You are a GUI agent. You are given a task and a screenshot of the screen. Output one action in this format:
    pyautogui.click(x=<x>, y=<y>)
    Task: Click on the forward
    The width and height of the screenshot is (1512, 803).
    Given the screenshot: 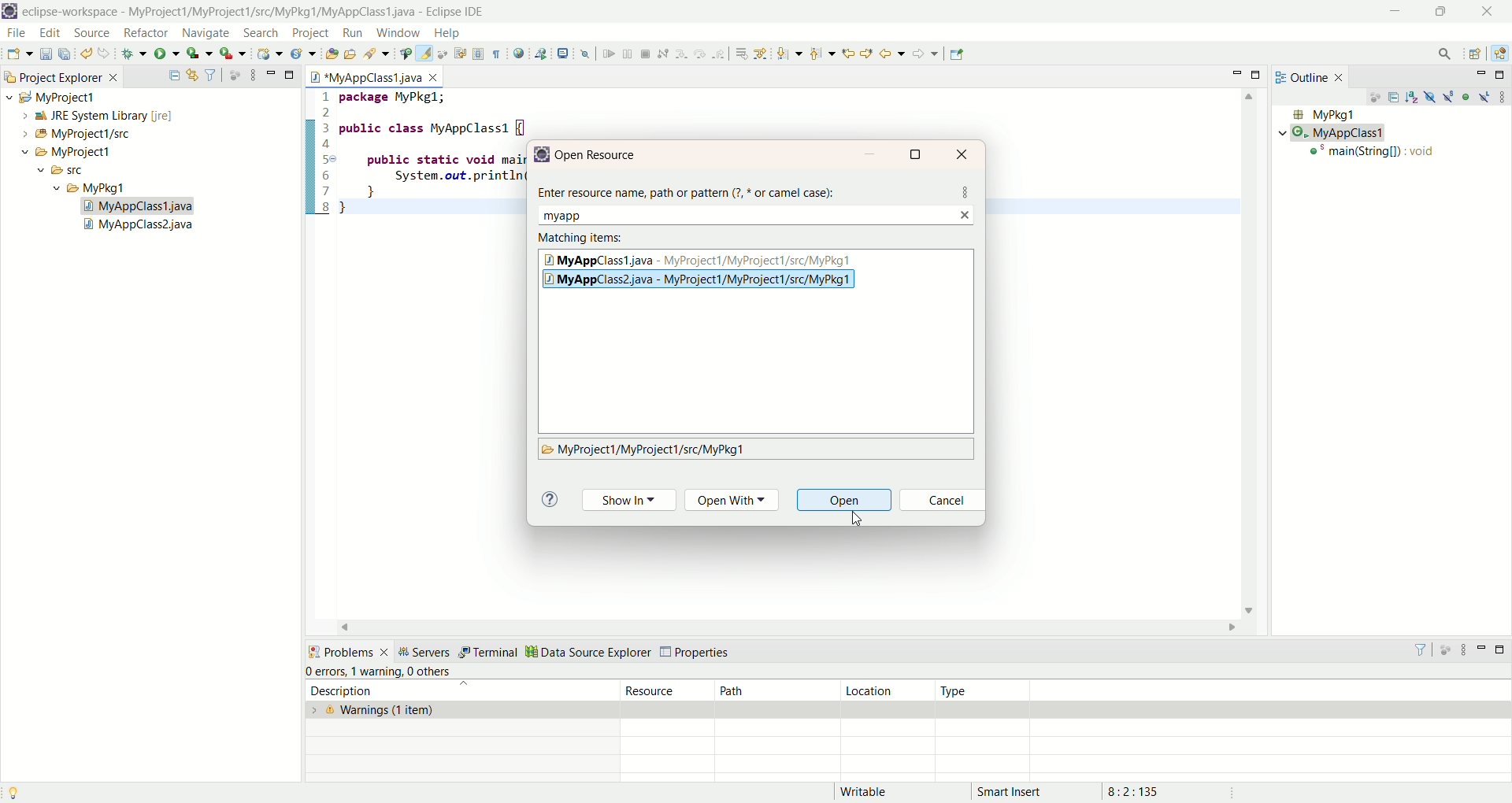 What is the action you would take?
    pyautogui.click(x=925, y=54)
    